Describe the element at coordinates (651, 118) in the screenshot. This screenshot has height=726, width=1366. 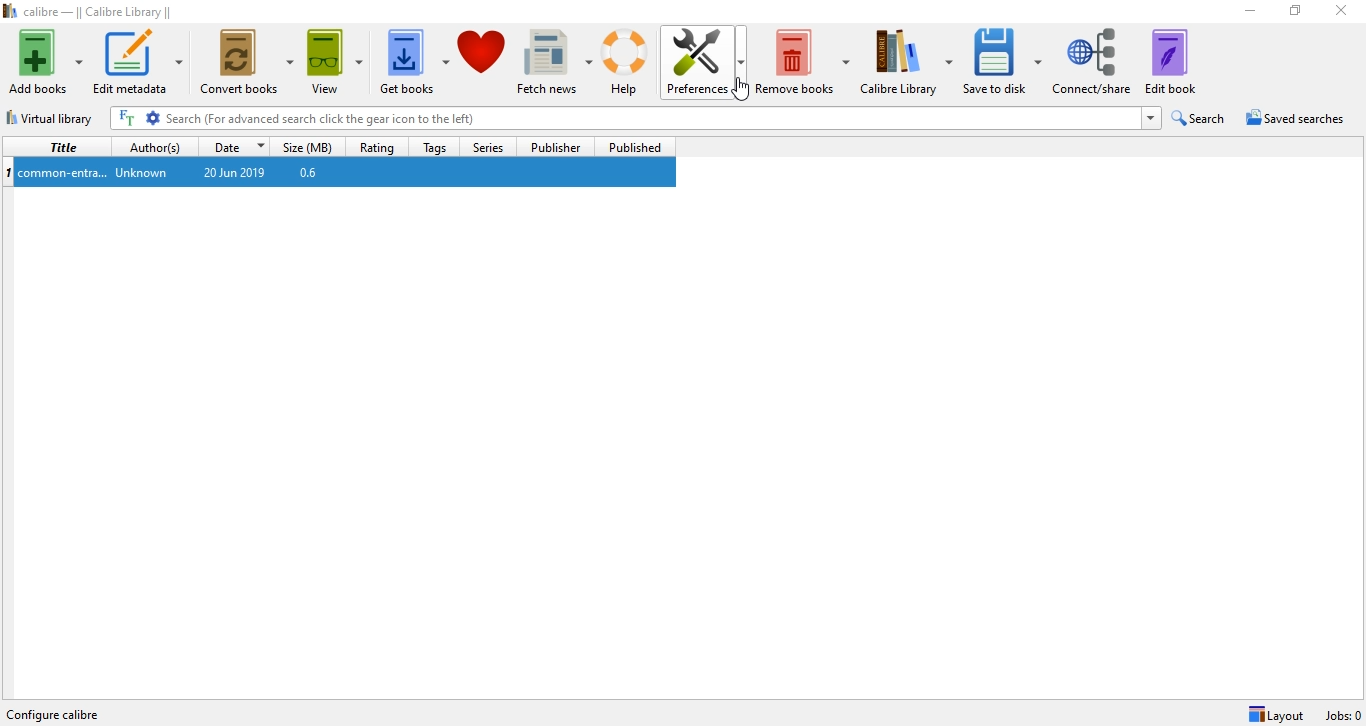
I see `Search bar` at that location.